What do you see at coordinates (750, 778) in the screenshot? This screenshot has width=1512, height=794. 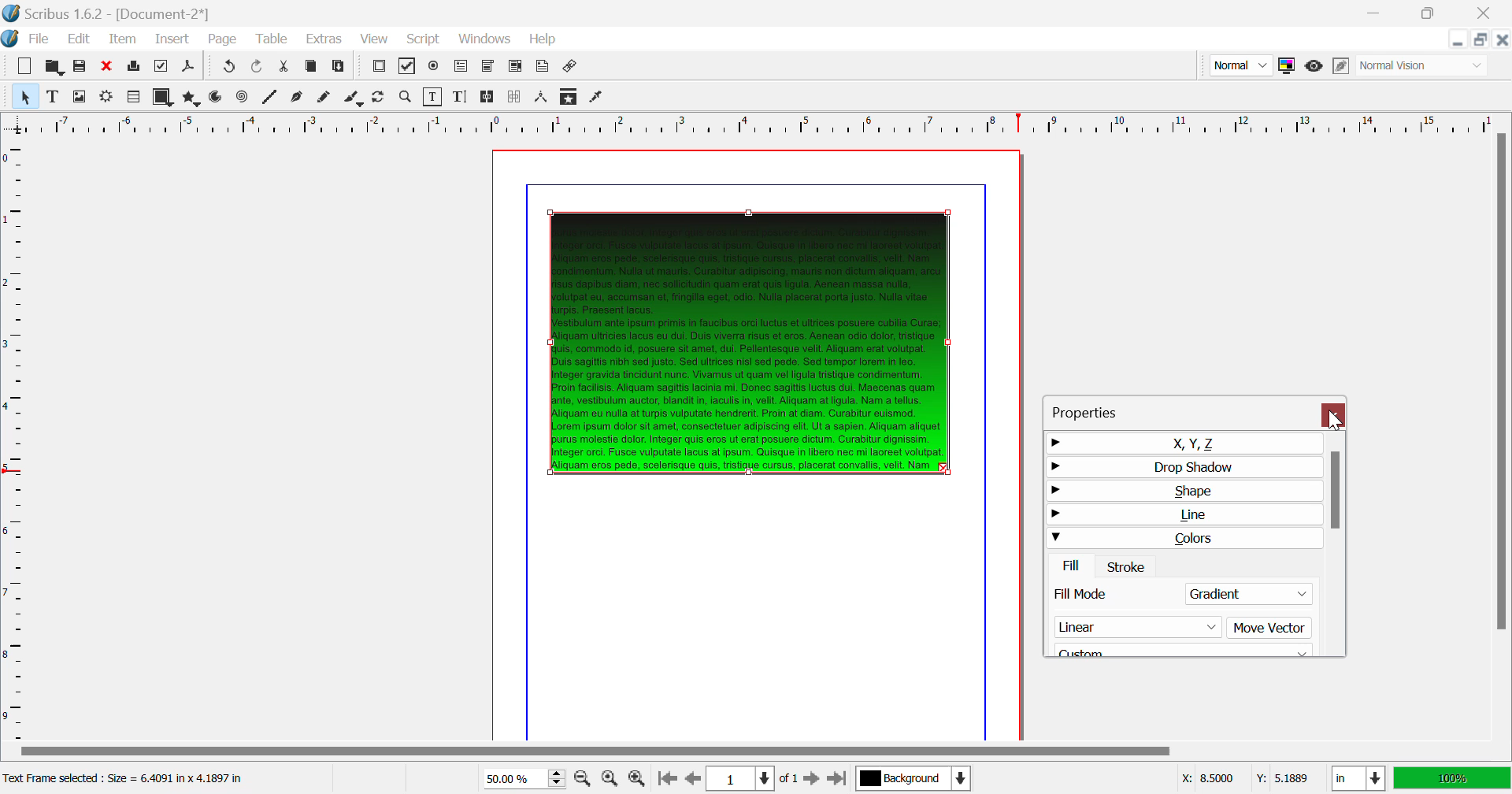 I see `Page 1 of 1` at bounding box center [750, 778].